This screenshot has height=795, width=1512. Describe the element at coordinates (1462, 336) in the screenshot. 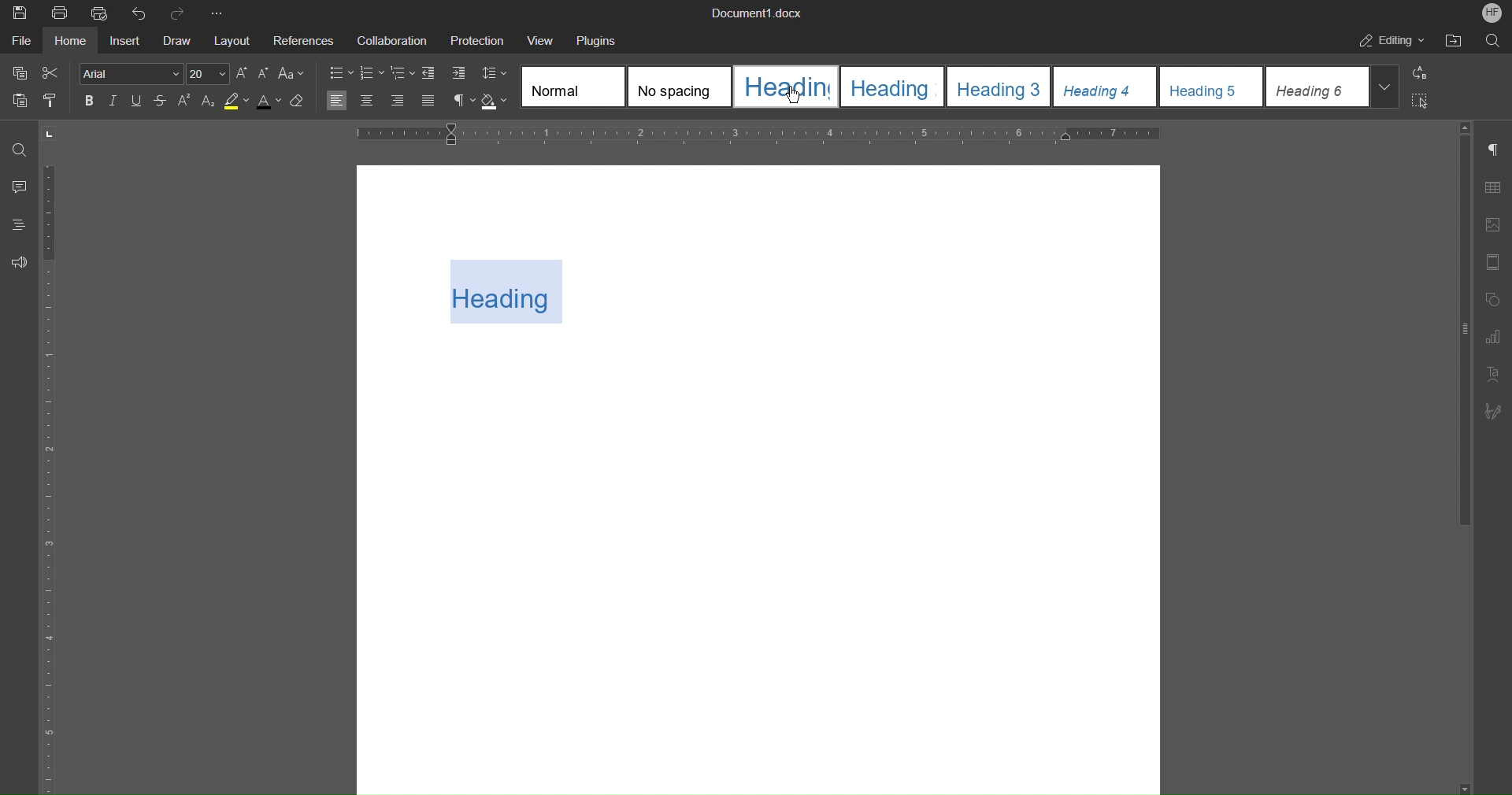

I see `vertical scroll bar` at that location.